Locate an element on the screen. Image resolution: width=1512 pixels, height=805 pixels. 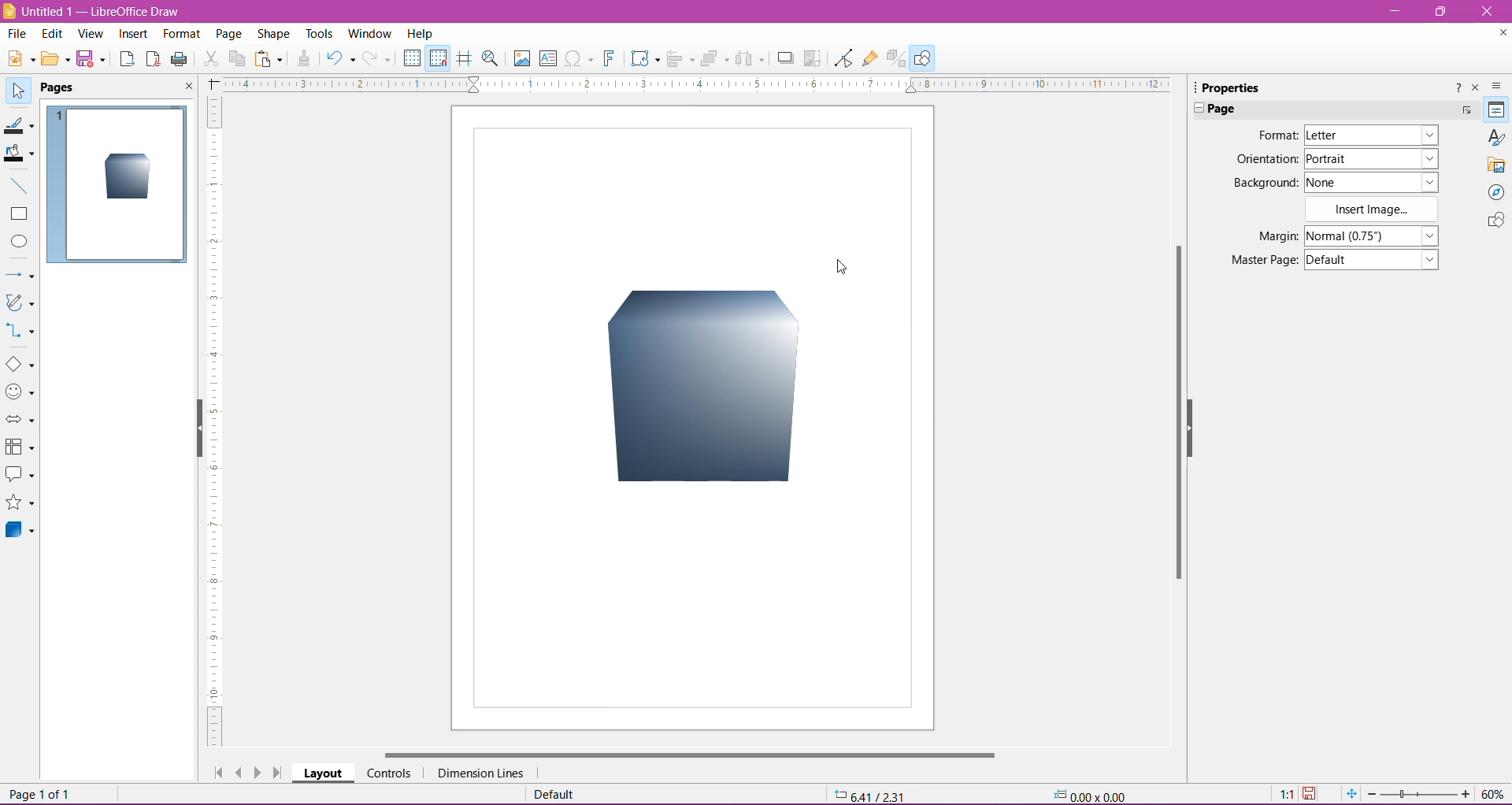
Fill Color is located at coordinates (19, 154).